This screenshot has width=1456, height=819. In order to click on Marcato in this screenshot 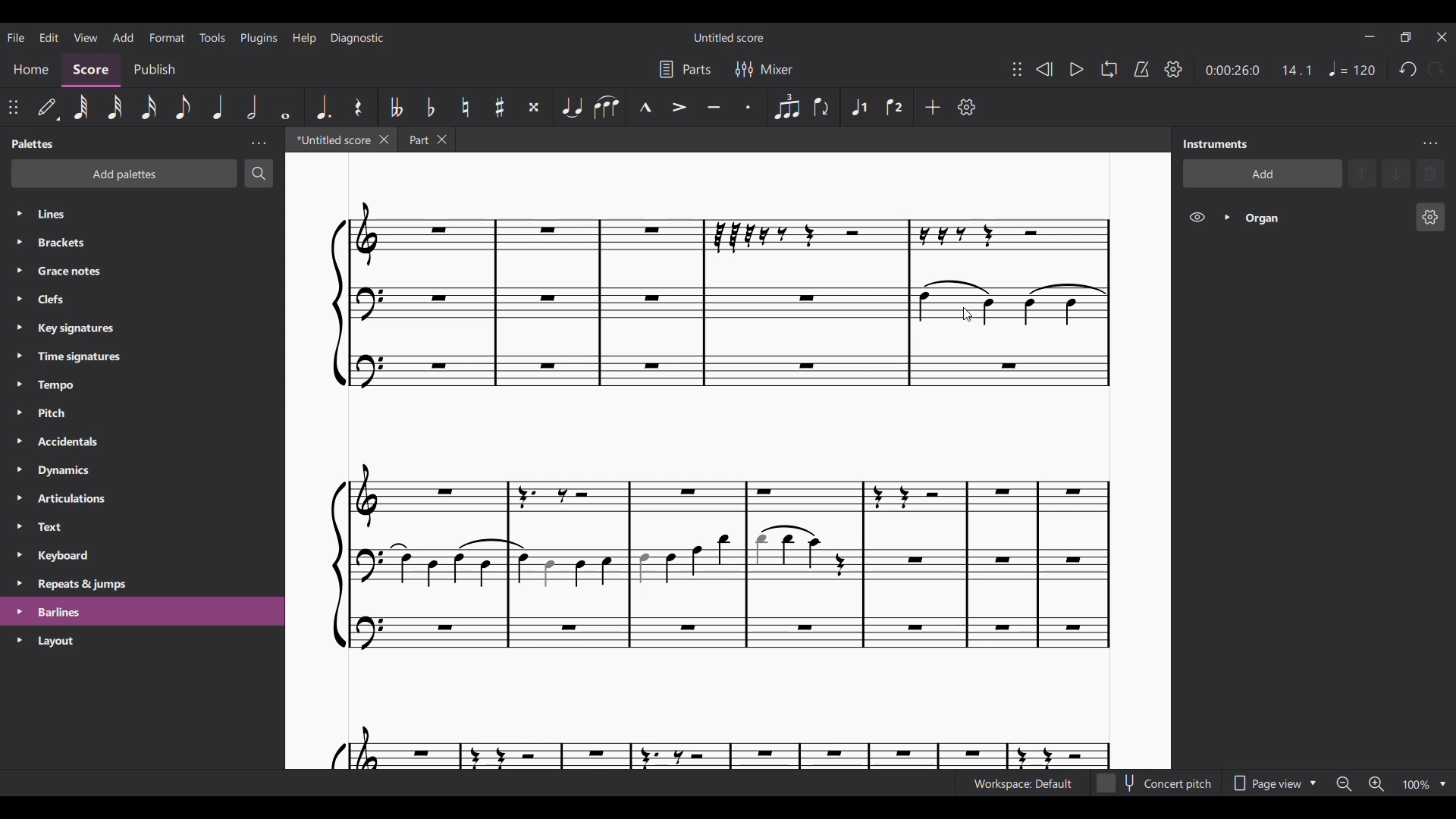, I will do `click(645, 107)`.